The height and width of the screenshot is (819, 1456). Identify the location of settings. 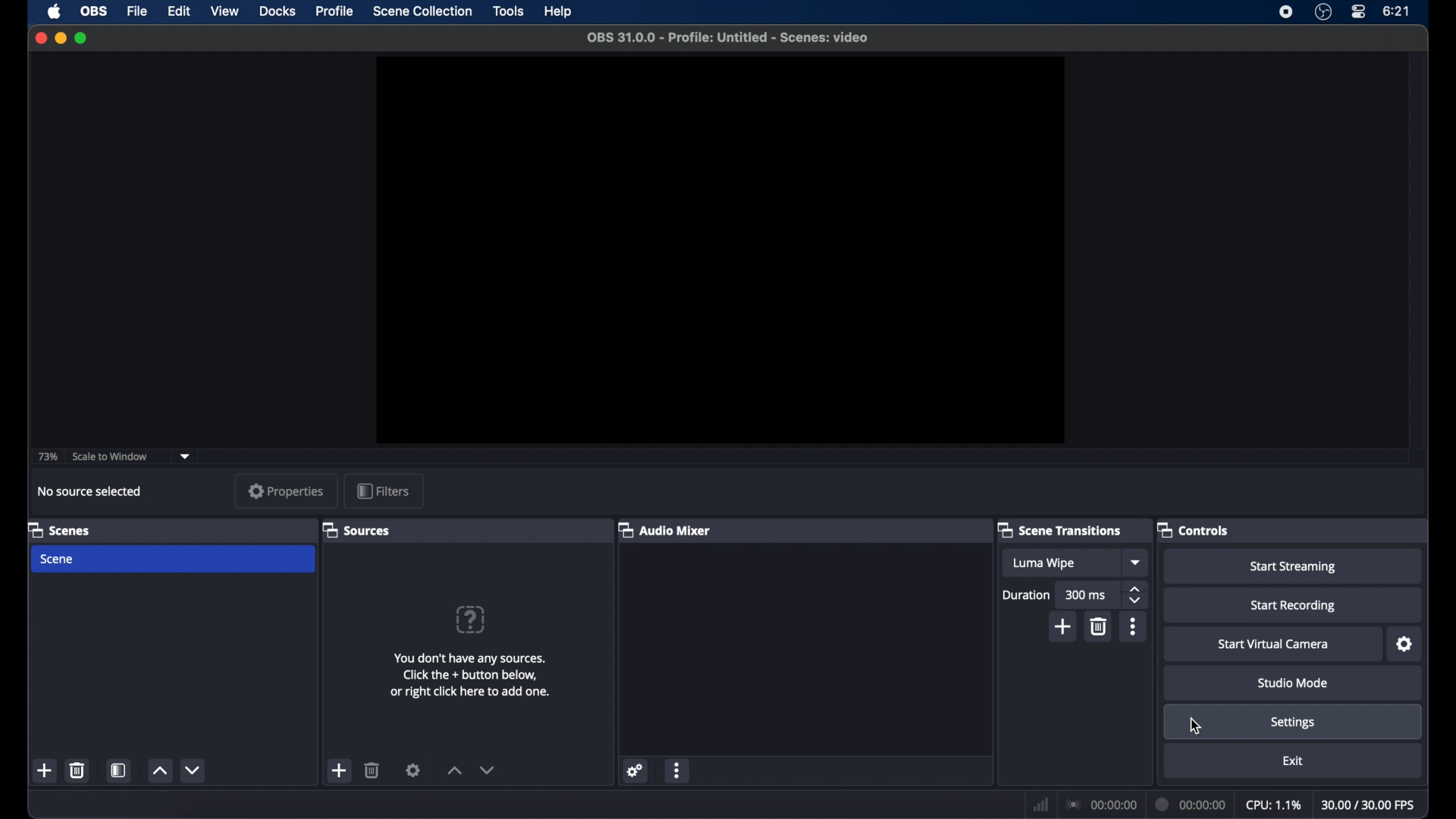
(1293, 723).